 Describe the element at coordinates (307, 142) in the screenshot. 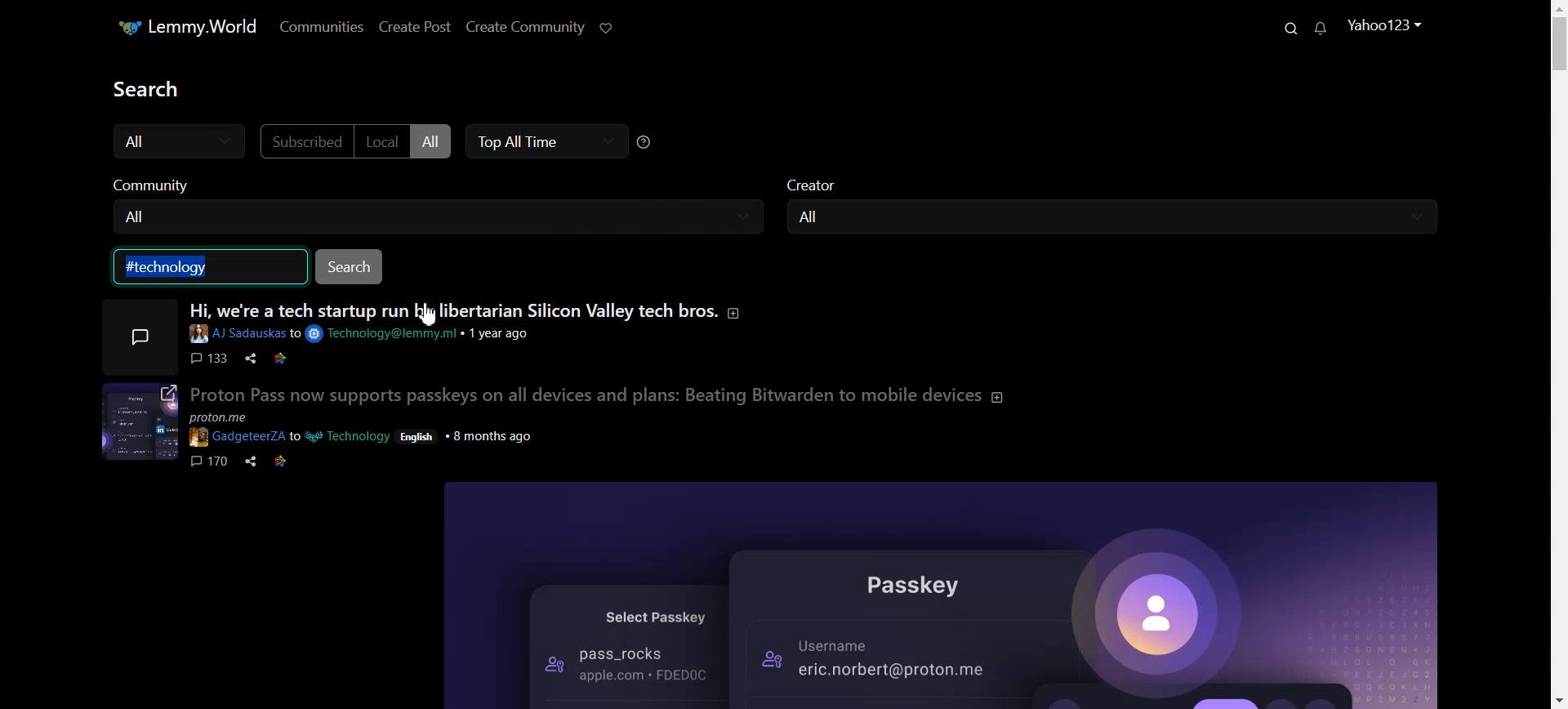

I see `Subscribed` at that location.